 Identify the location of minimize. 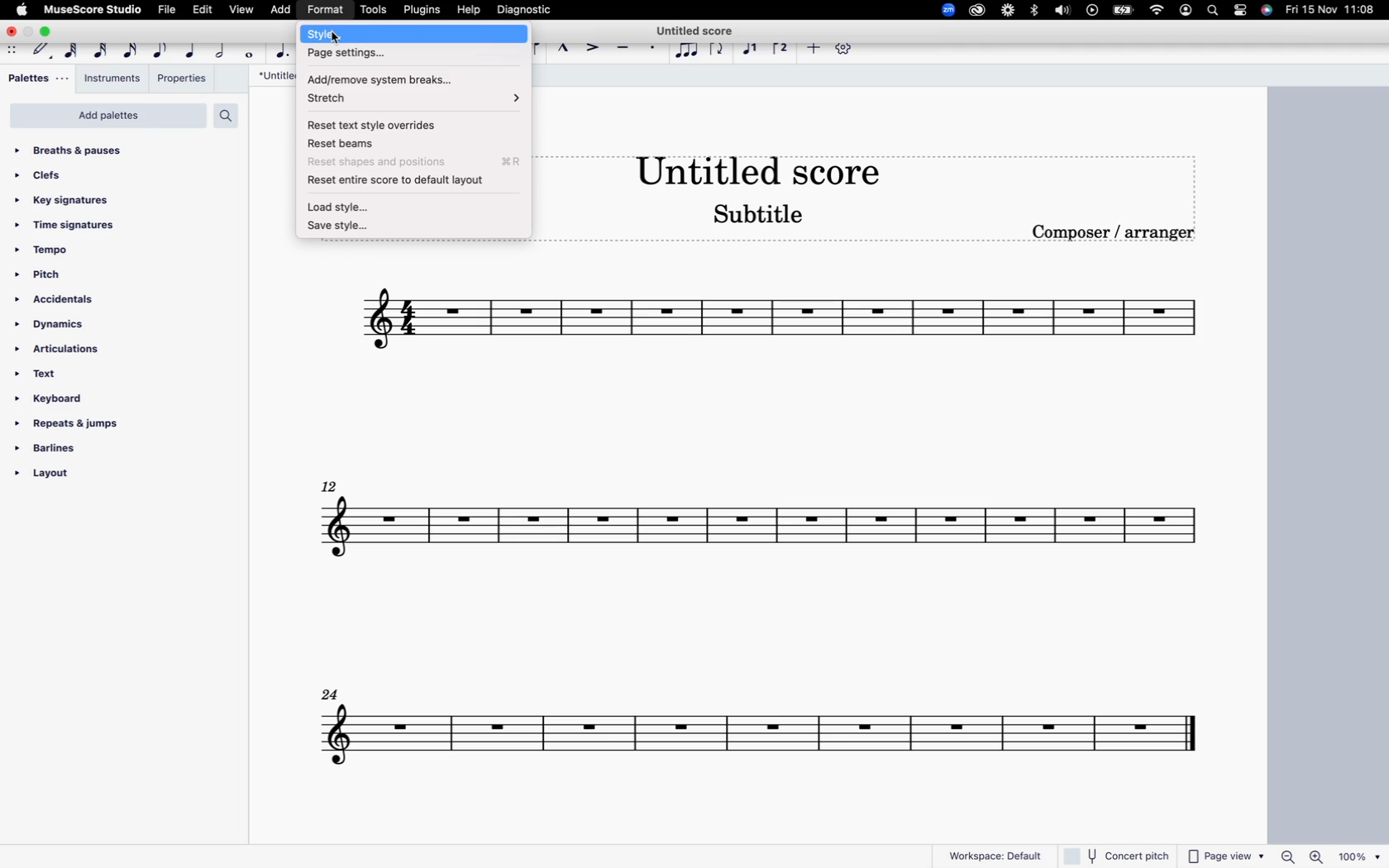
(29, 31).